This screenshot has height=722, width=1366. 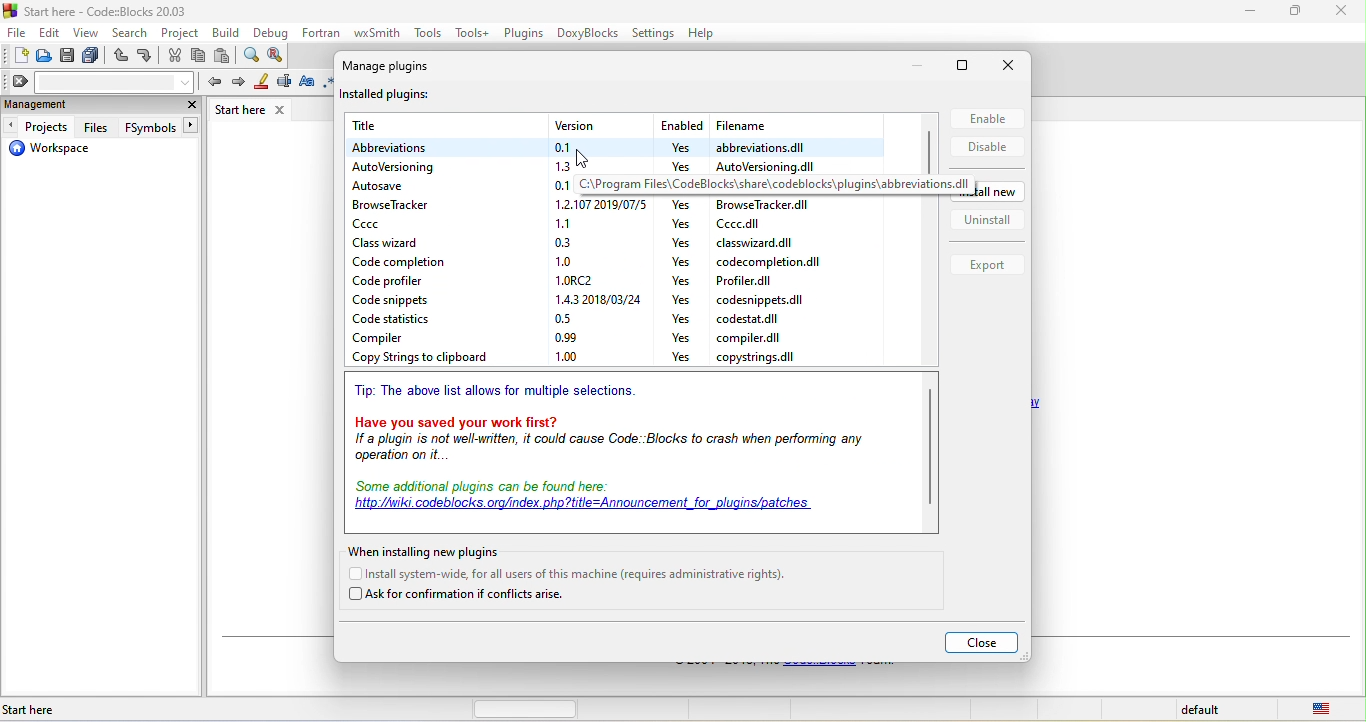 What do you see at coordinates (567, 337) in the screenshot?
I see `version ` at bounding box center [567, 337].